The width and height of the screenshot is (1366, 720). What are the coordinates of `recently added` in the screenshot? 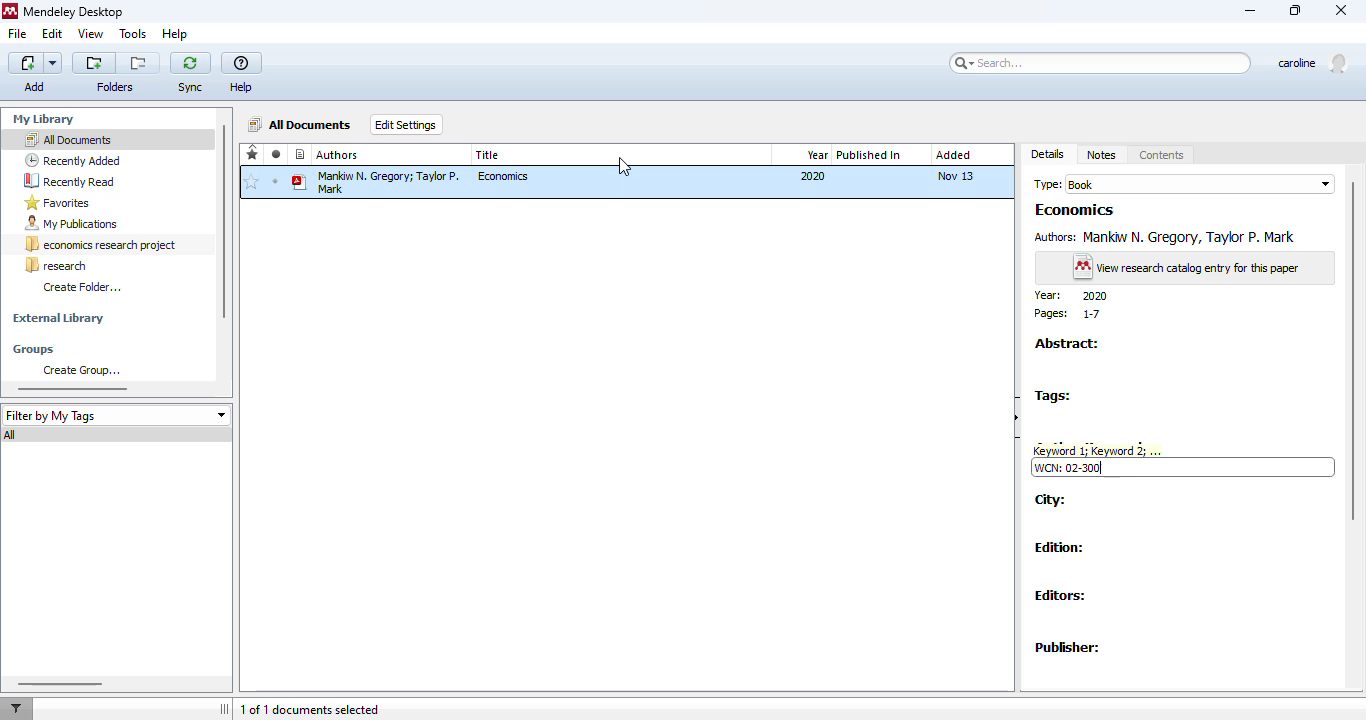 It's located at (73, 160).